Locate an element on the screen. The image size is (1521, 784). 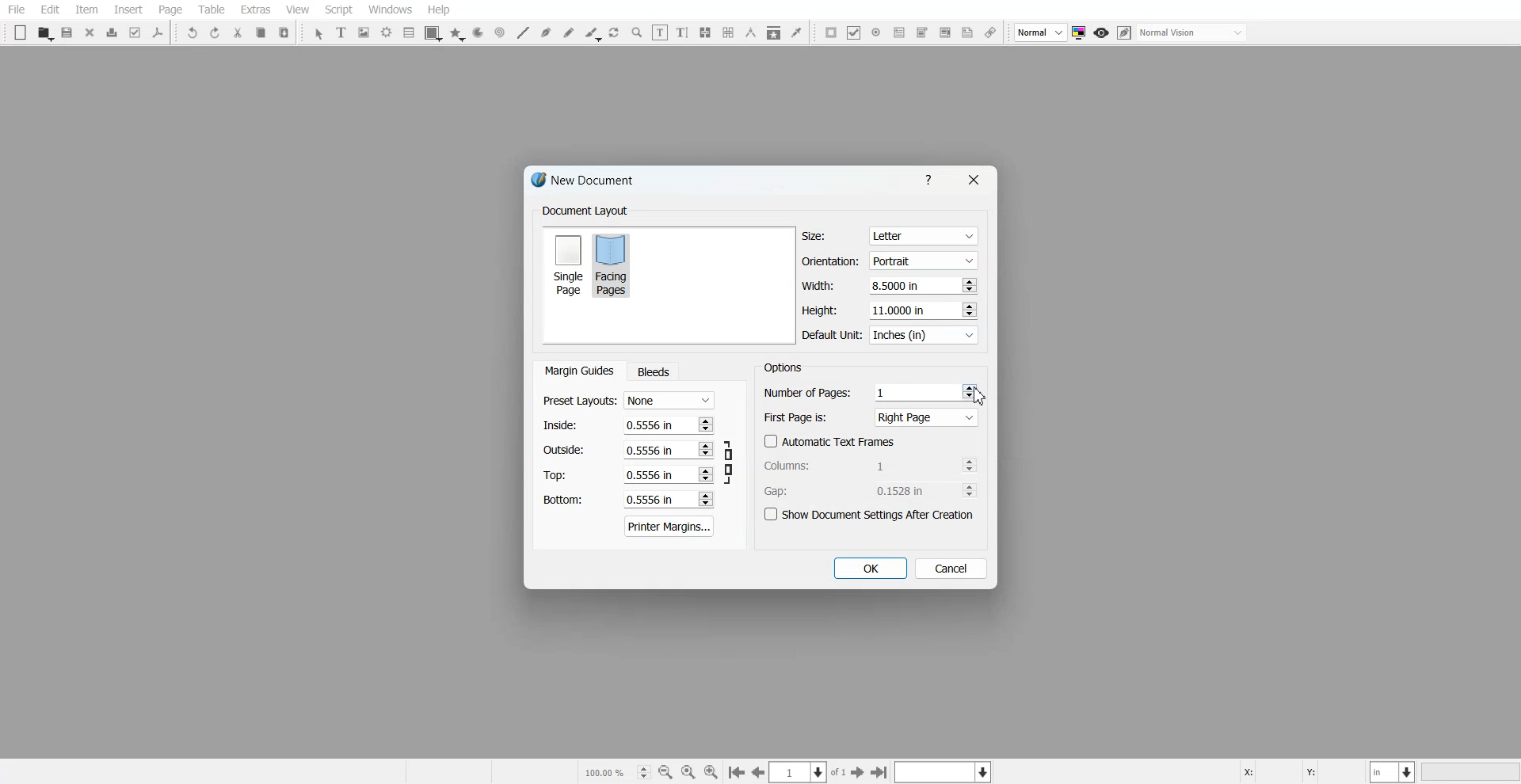
Right margin adjuster is located at coordinates (629, 450).